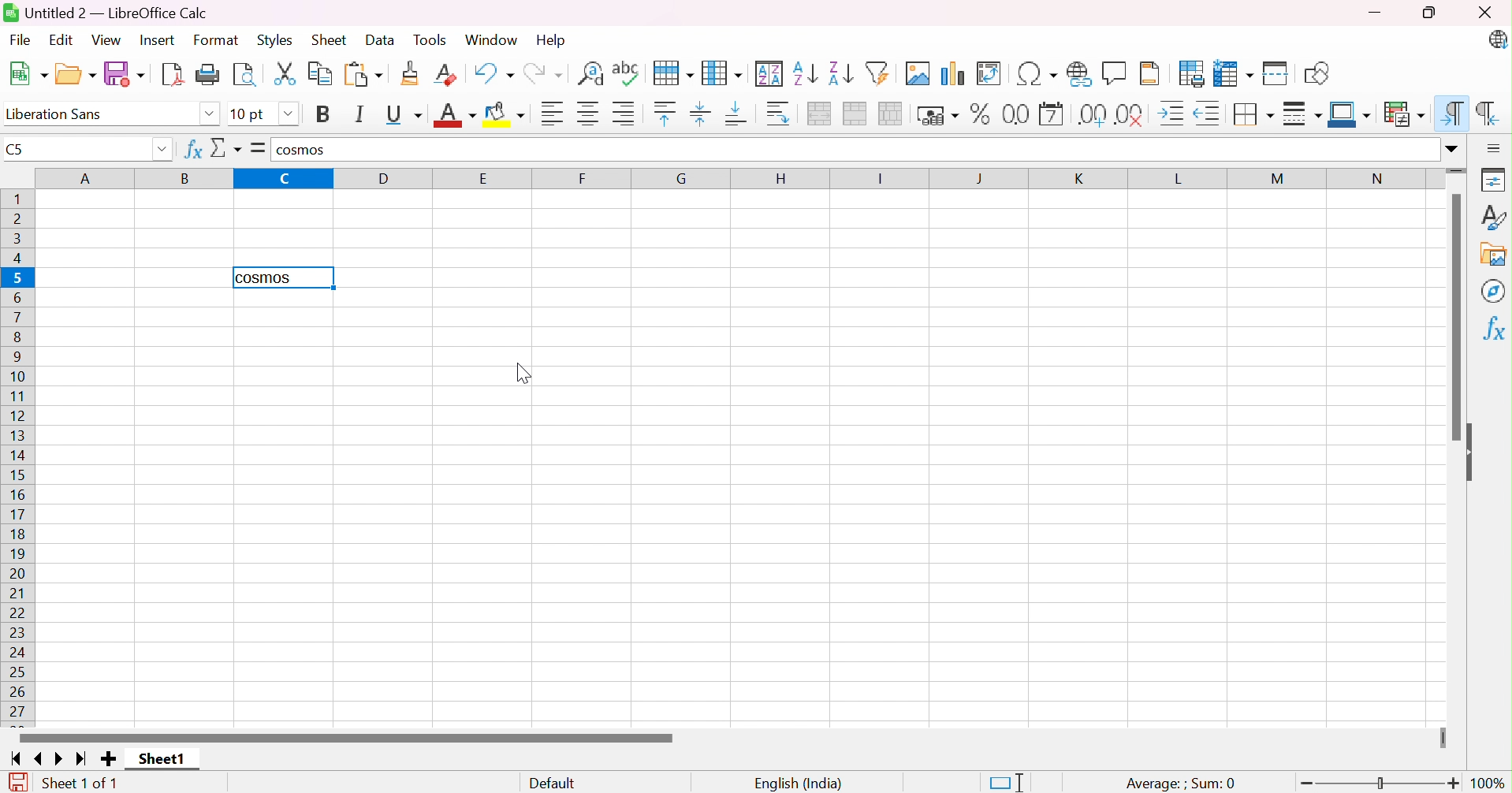 The height and width of the screenshot is (793, 1512). I want to click on Italic, so click(362, 114).